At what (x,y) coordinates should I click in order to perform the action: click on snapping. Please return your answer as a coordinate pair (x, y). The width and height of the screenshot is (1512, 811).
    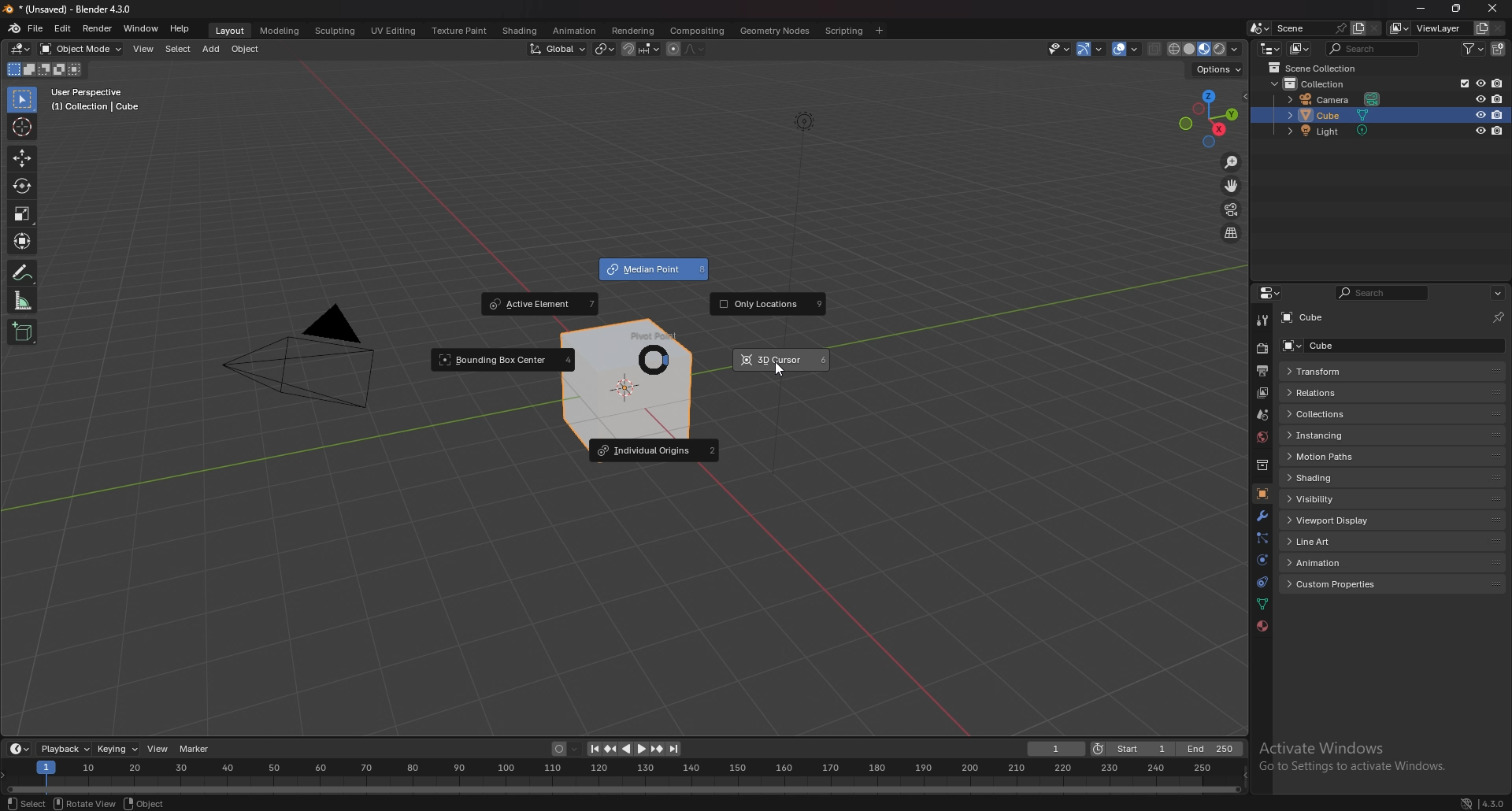
    Looking at the image, I should click on (641, 49).